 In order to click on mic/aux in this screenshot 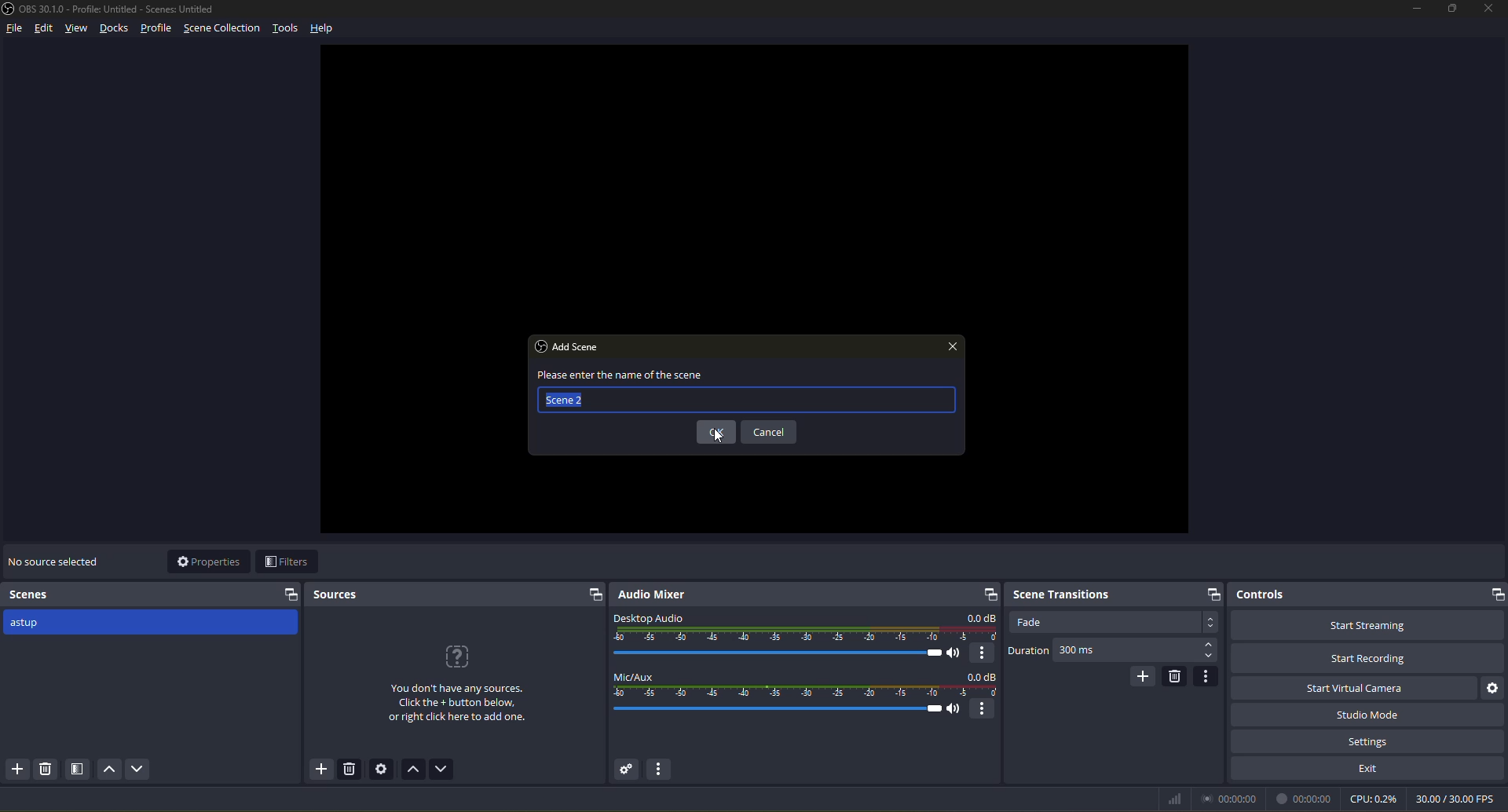, I will do `click(631, 676)`.